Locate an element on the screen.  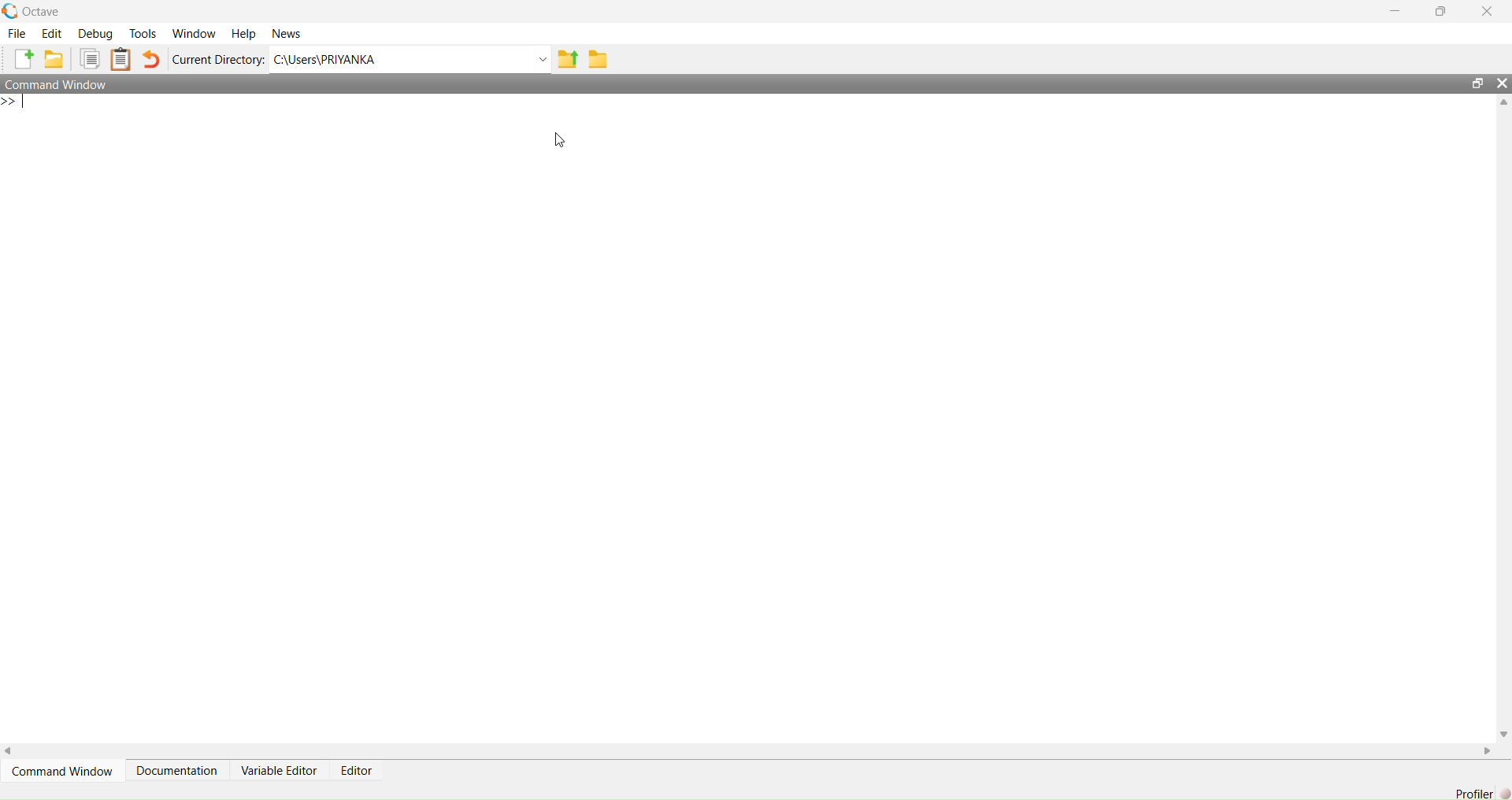
Copy is located at coordinates (88, 59).